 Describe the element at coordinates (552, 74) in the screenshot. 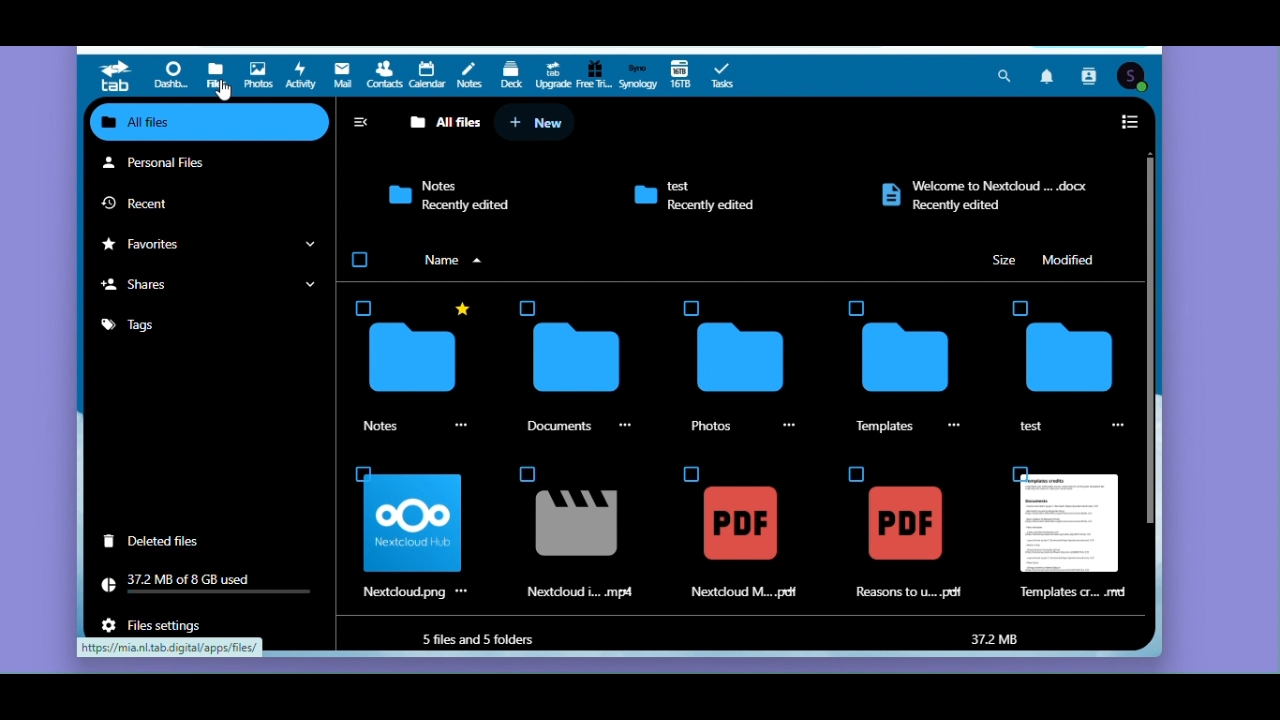

I see `Upgrade` at that location.